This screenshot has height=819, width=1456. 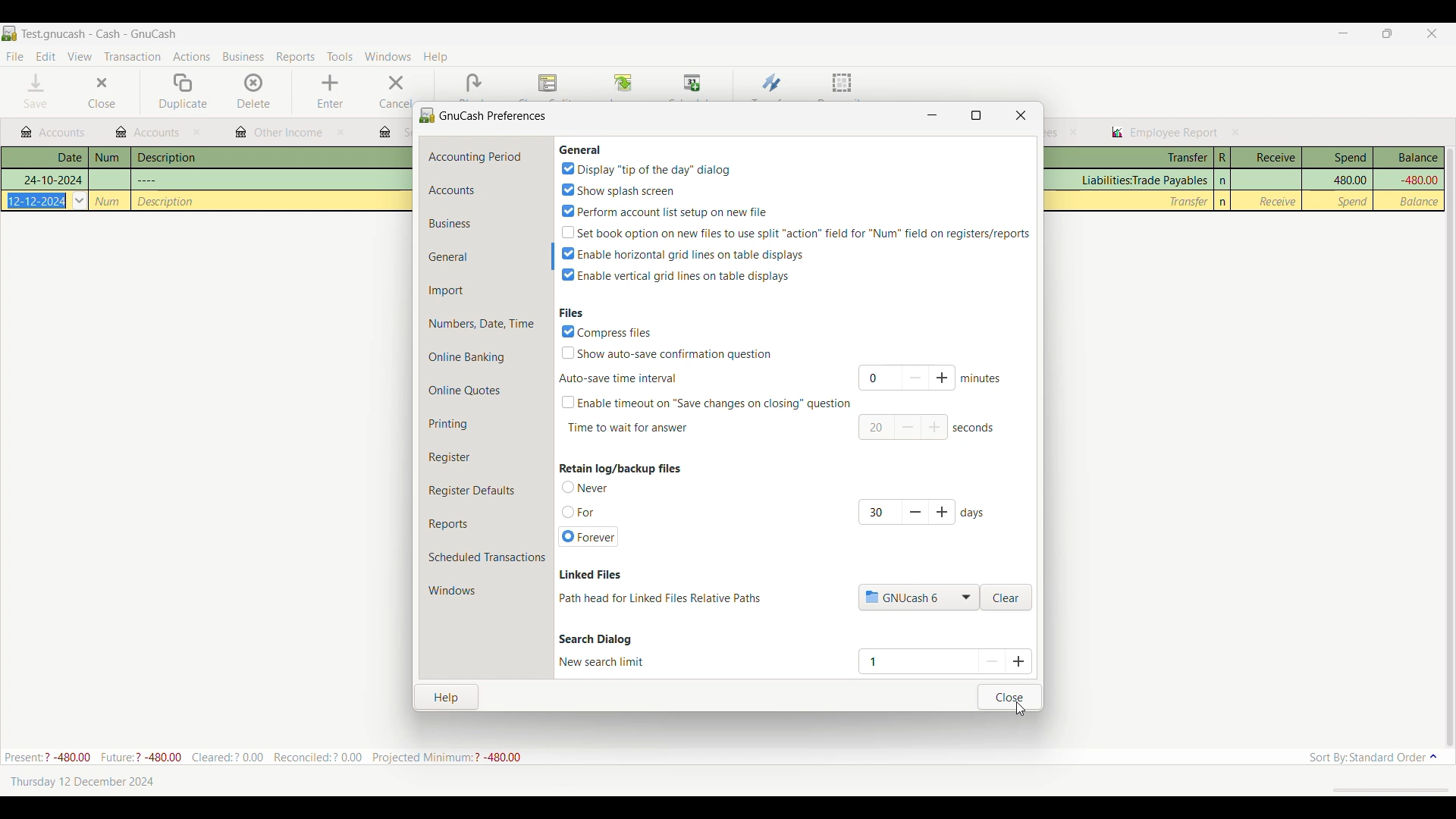 I want to click on n, so click(x=1224, y=180).